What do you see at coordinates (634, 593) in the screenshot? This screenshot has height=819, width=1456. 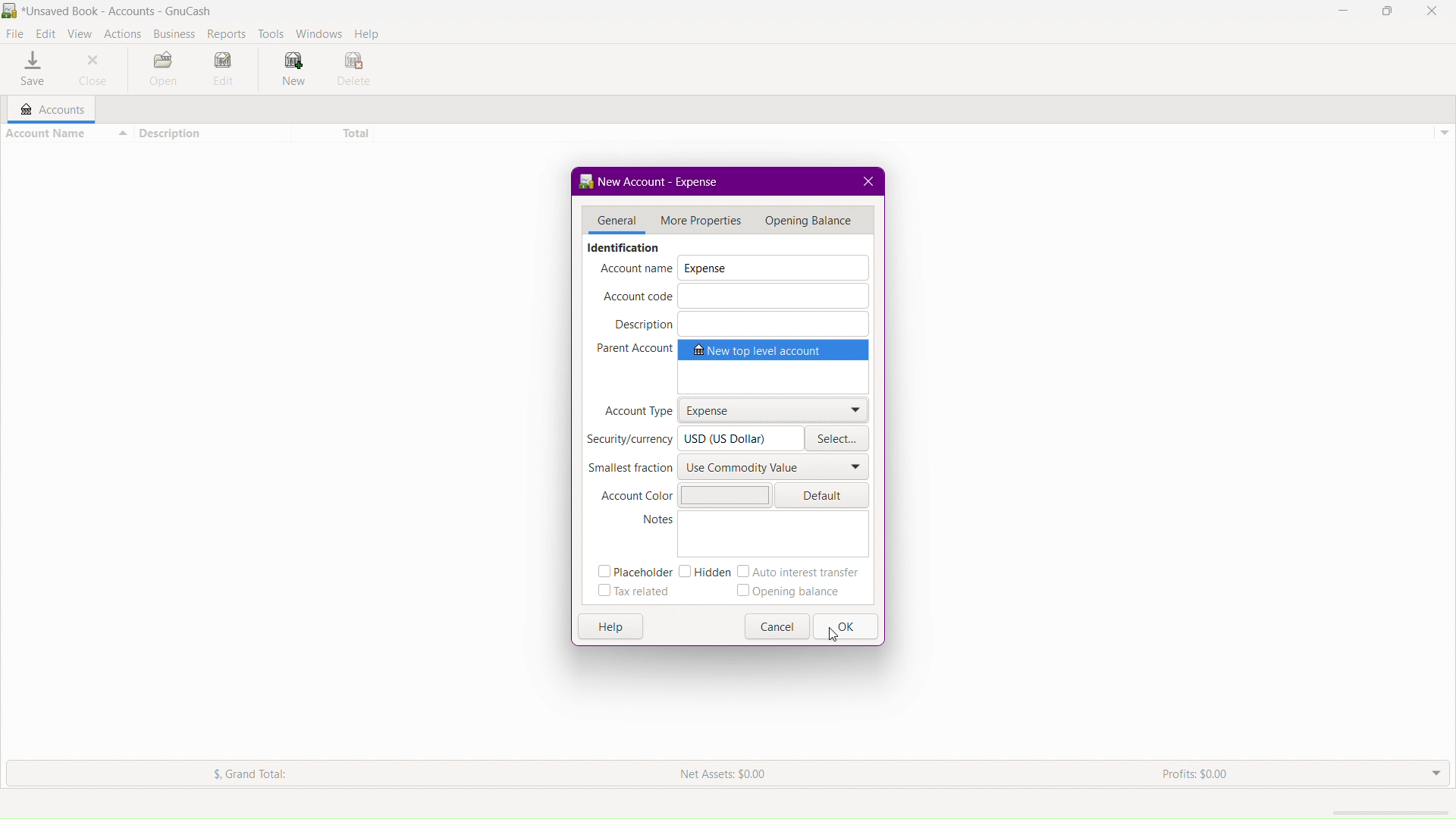 I see `Tax related` at bounding box center [634, 593].